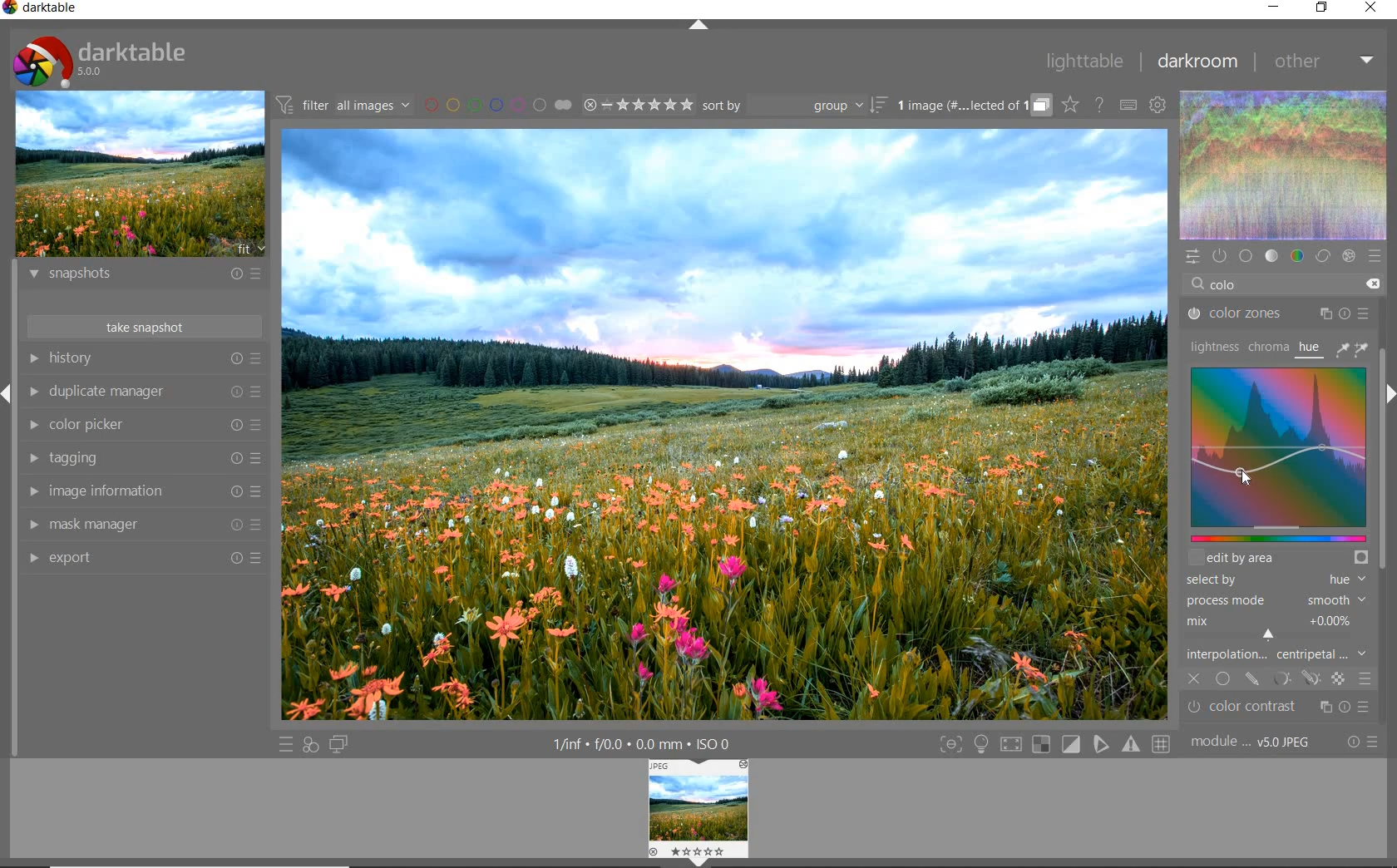 The width and height of the screenshot is (1397, 868). Describe the element at coordinates (640, 742) in the screenshot. I see `1/inf*f/0.0 mm*ISO 0` at that location.